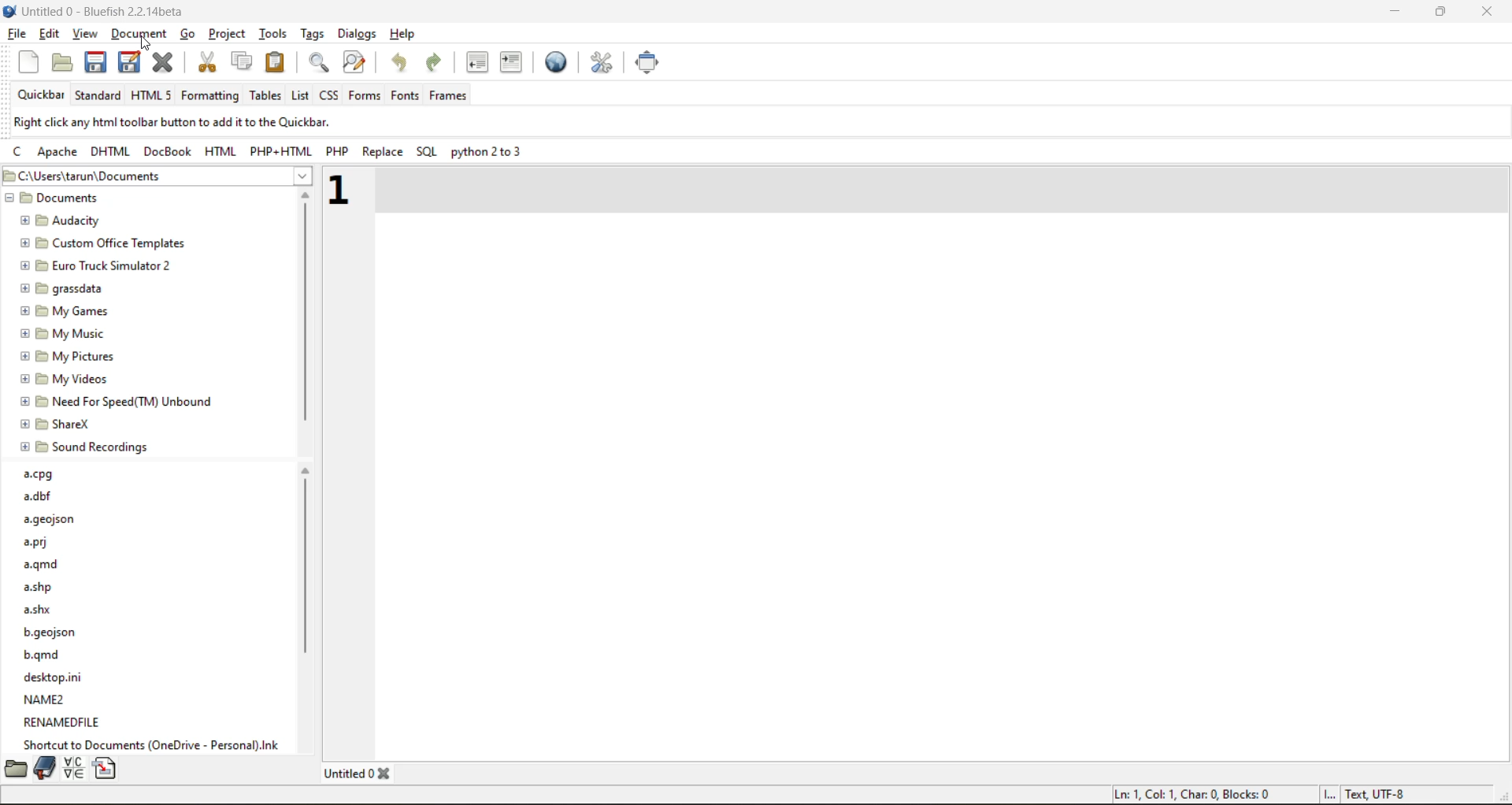 The image size is (1512, 805). I want to click on dialogs, so click(362, 35).